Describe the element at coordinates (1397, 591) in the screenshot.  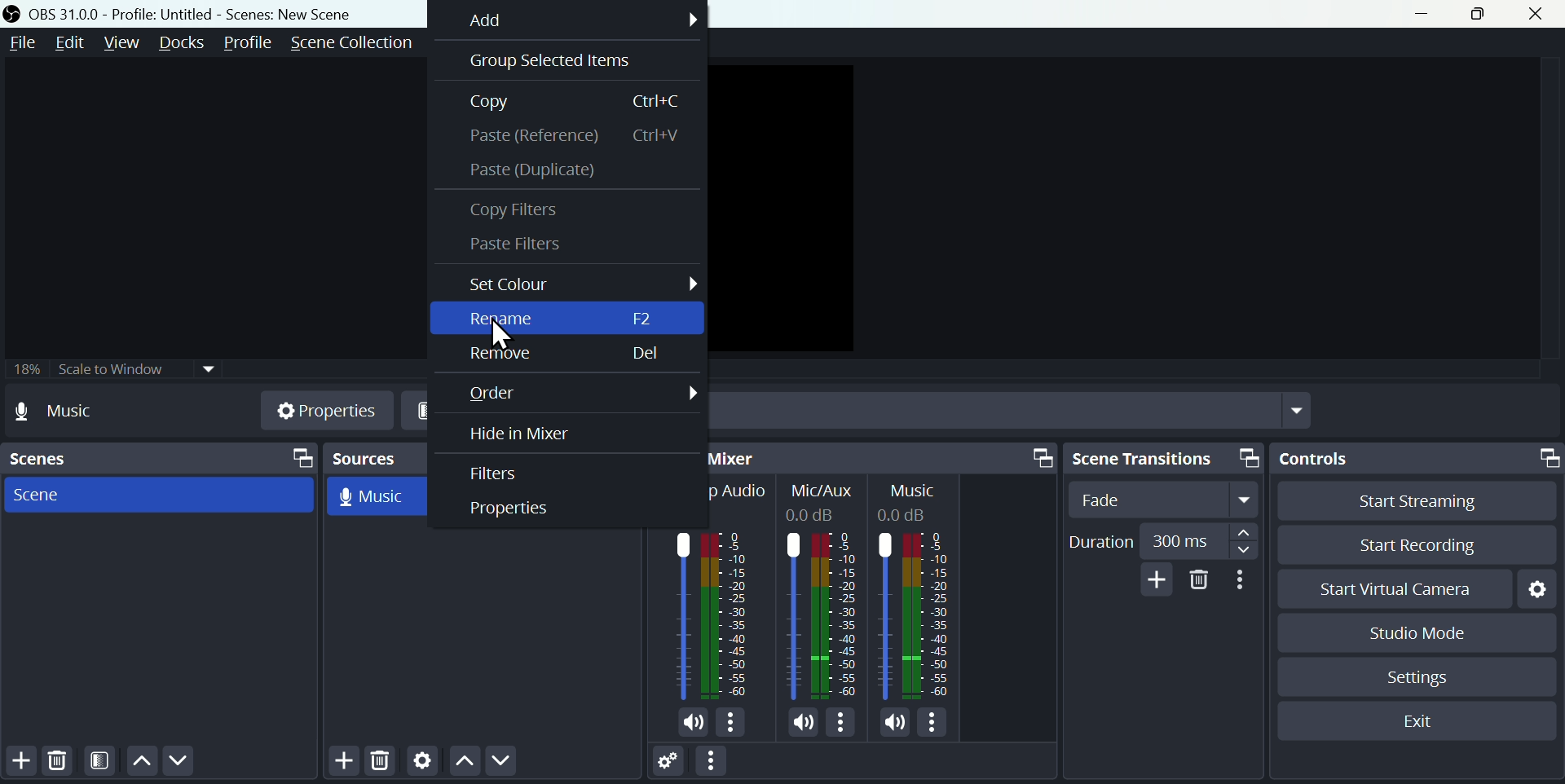
I see `start virtual camera` at that location.